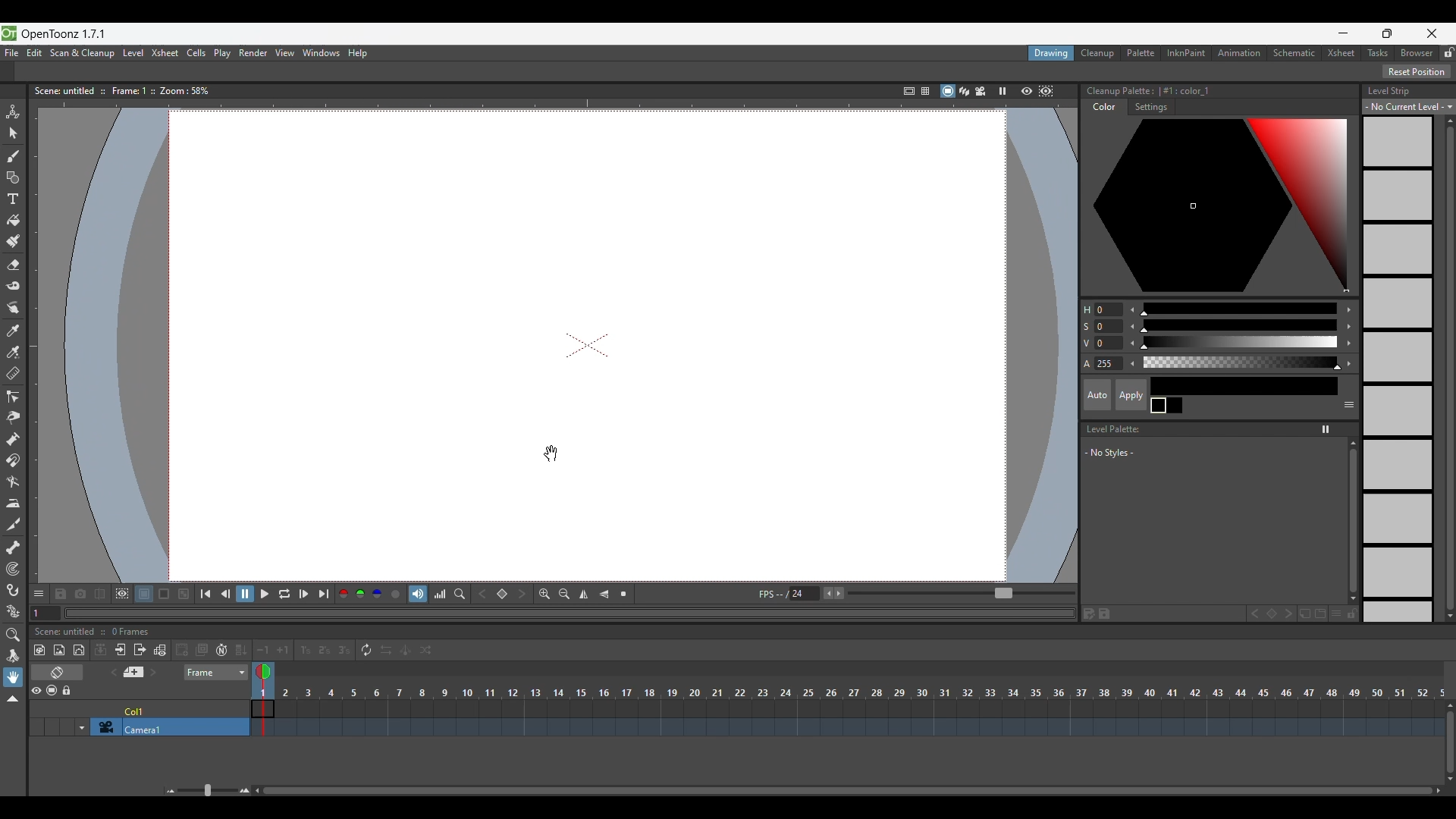 The image size is (1456, 819). I want to click on Cells, so click(196, 53).